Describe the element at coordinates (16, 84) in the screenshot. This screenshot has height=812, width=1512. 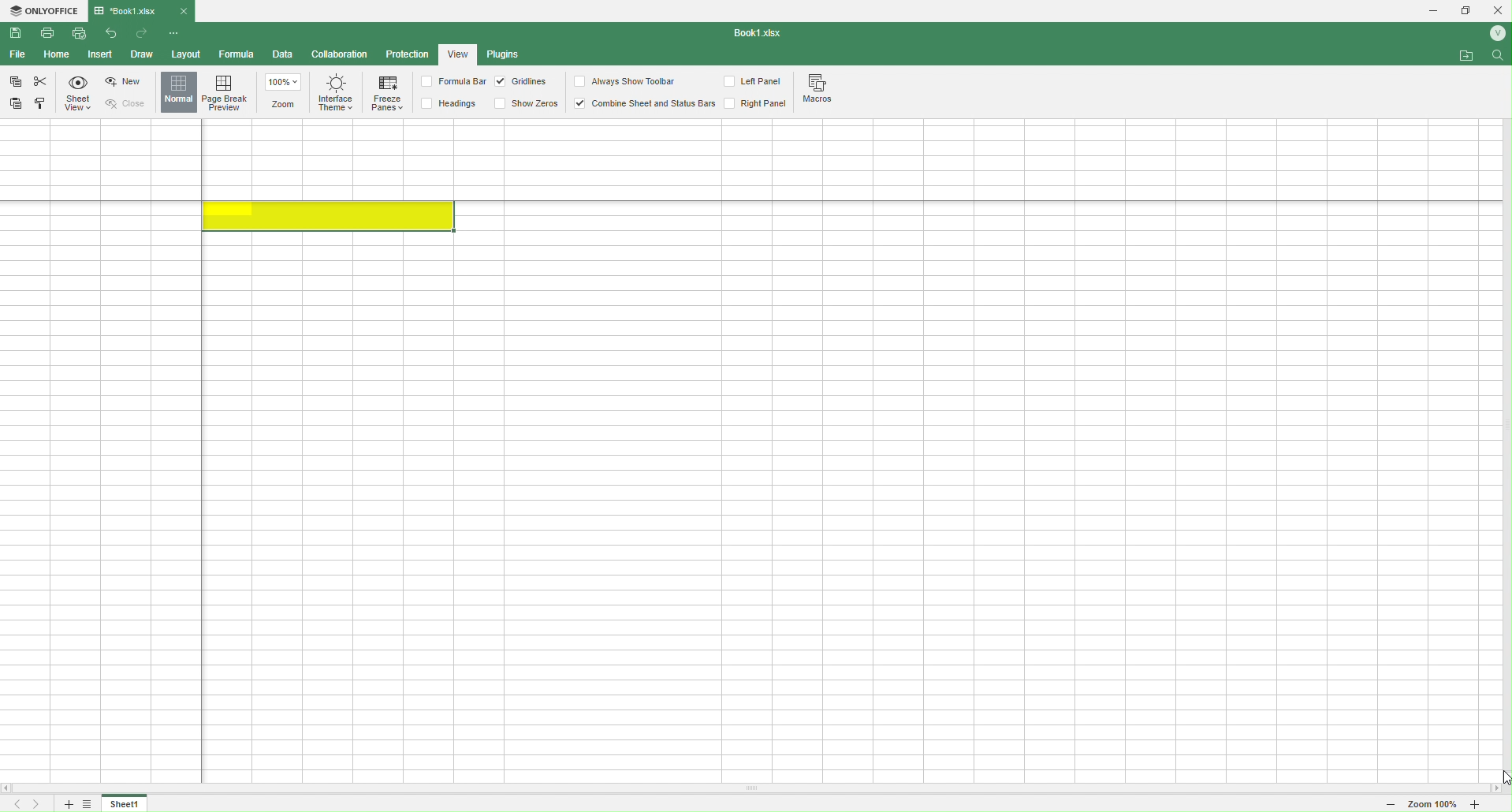
I see `Copy` at that location.